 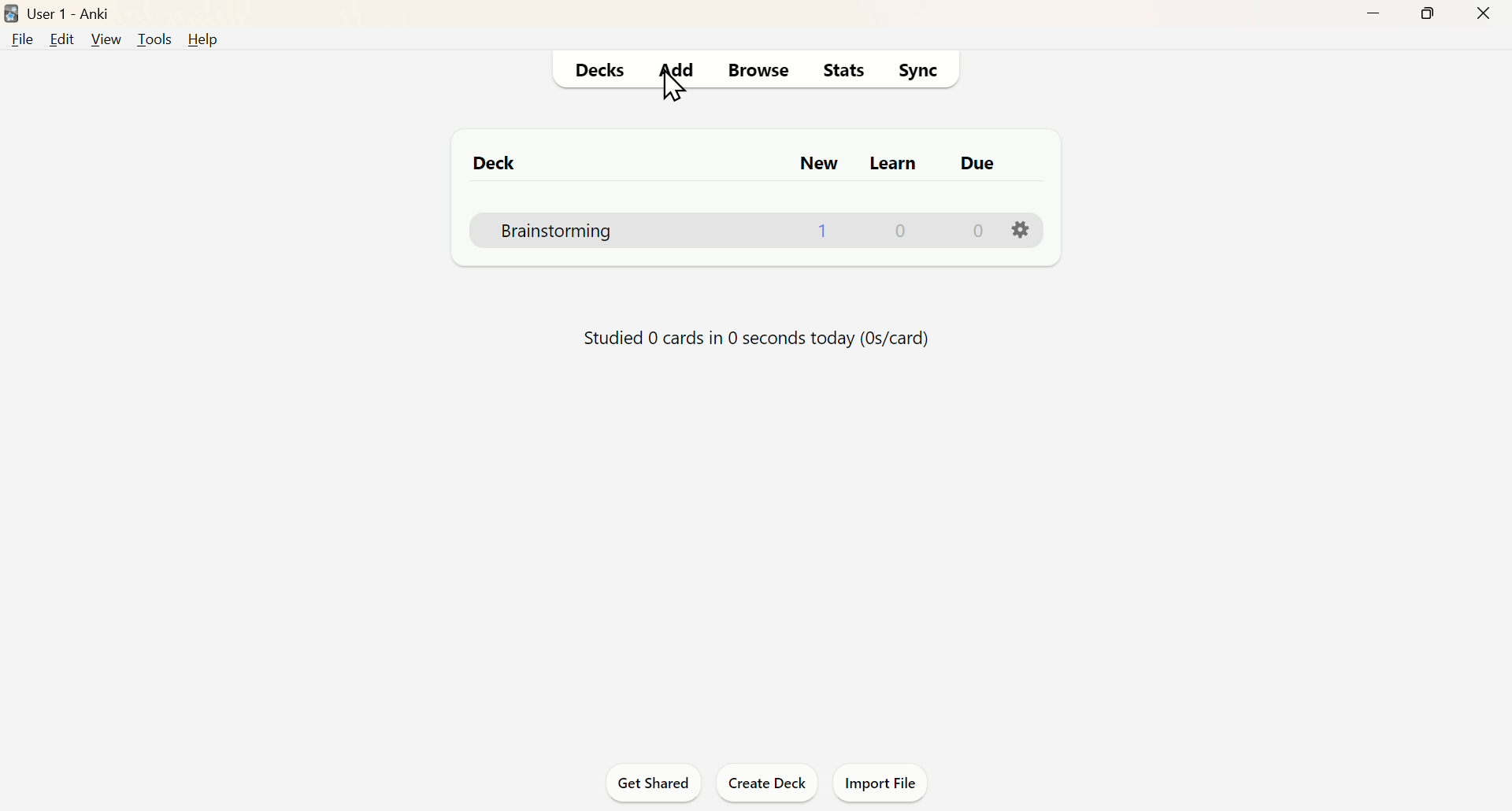 I want to click on Due, so click(x=985, y=161).